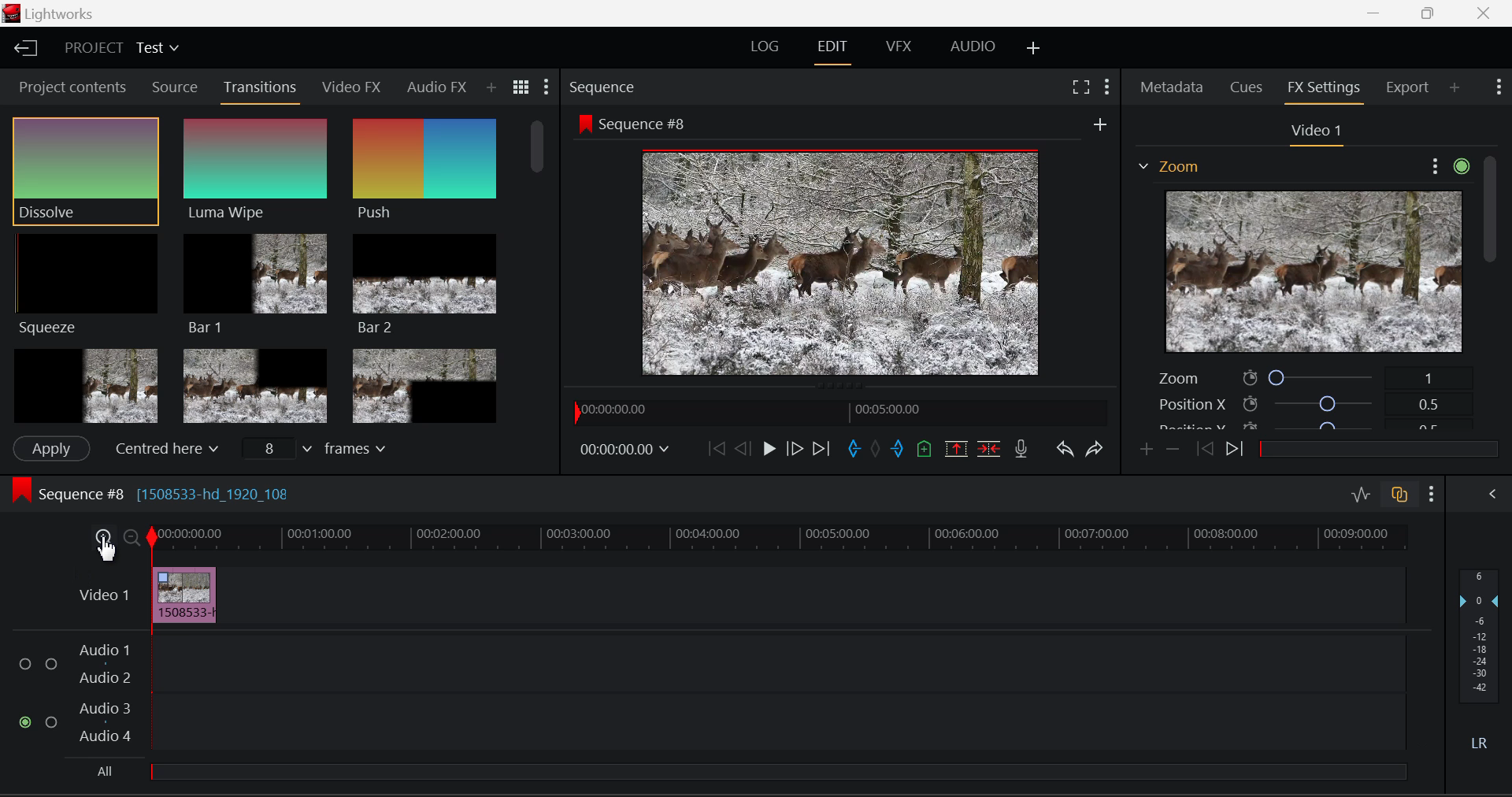 This screenshot has width=1512, height=797. What do you see at coordinates (852, 453) in the screenshot?
I see `Mark In` at bounding box center [852, 453].